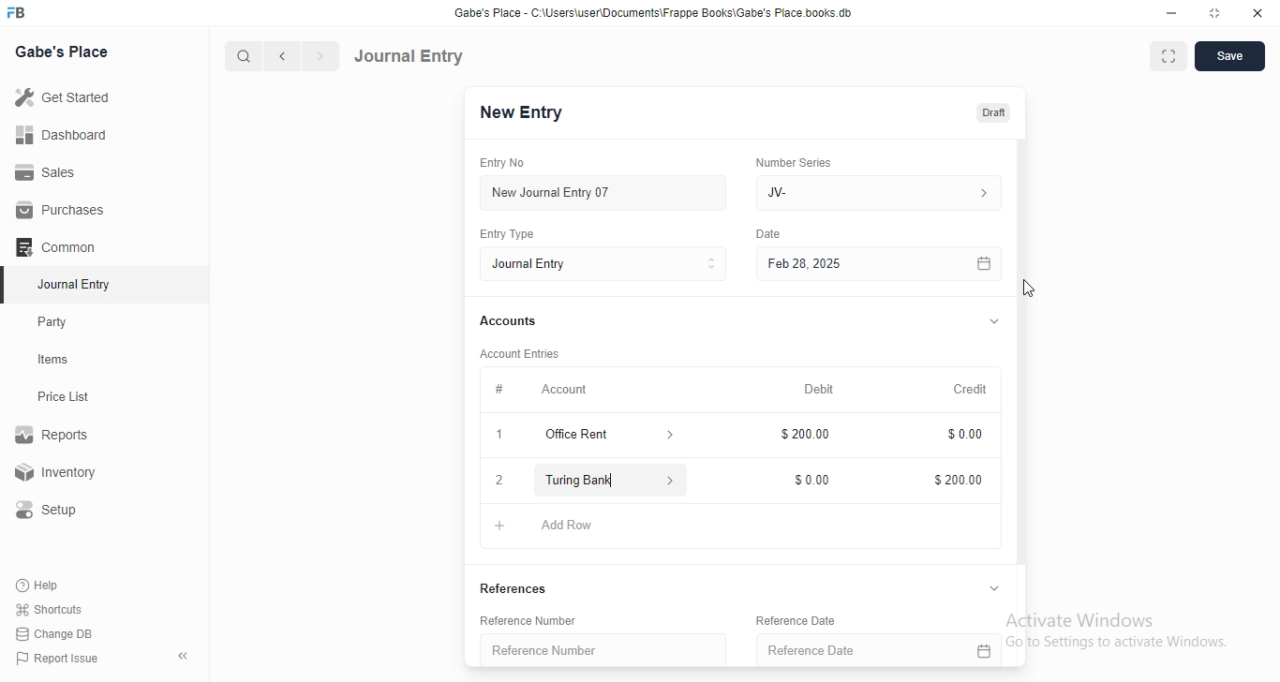  What do you see at coordinates (506, 321) in the screenshot?
I see `Accounts` at bounding box center [506, 321].